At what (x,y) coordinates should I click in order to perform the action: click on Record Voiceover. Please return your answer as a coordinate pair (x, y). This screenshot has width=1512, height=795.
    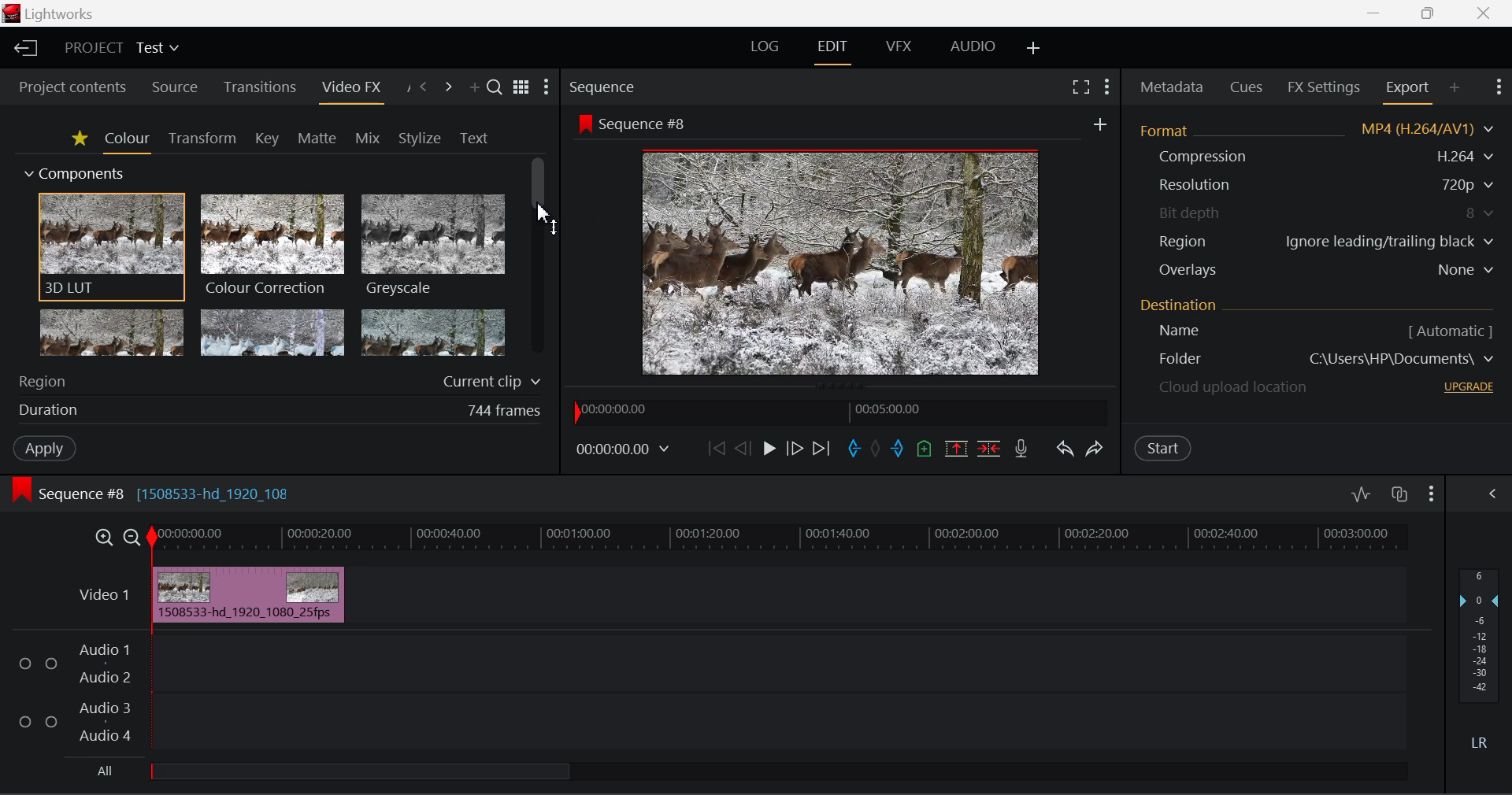
    Looking at the image, I should click on (1021, 447).